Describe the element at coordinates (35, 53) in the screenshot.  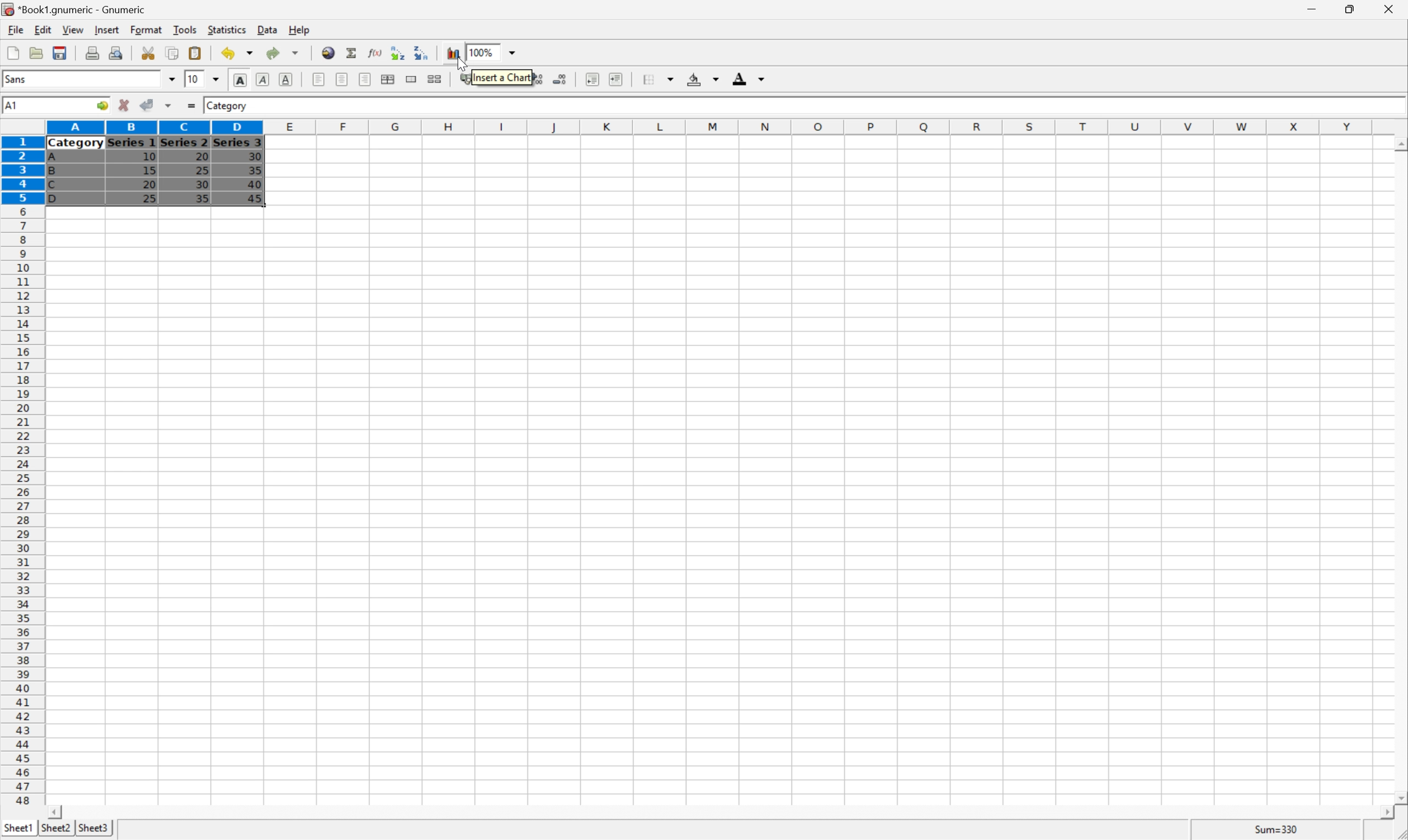
I see `Open a file` at that location.